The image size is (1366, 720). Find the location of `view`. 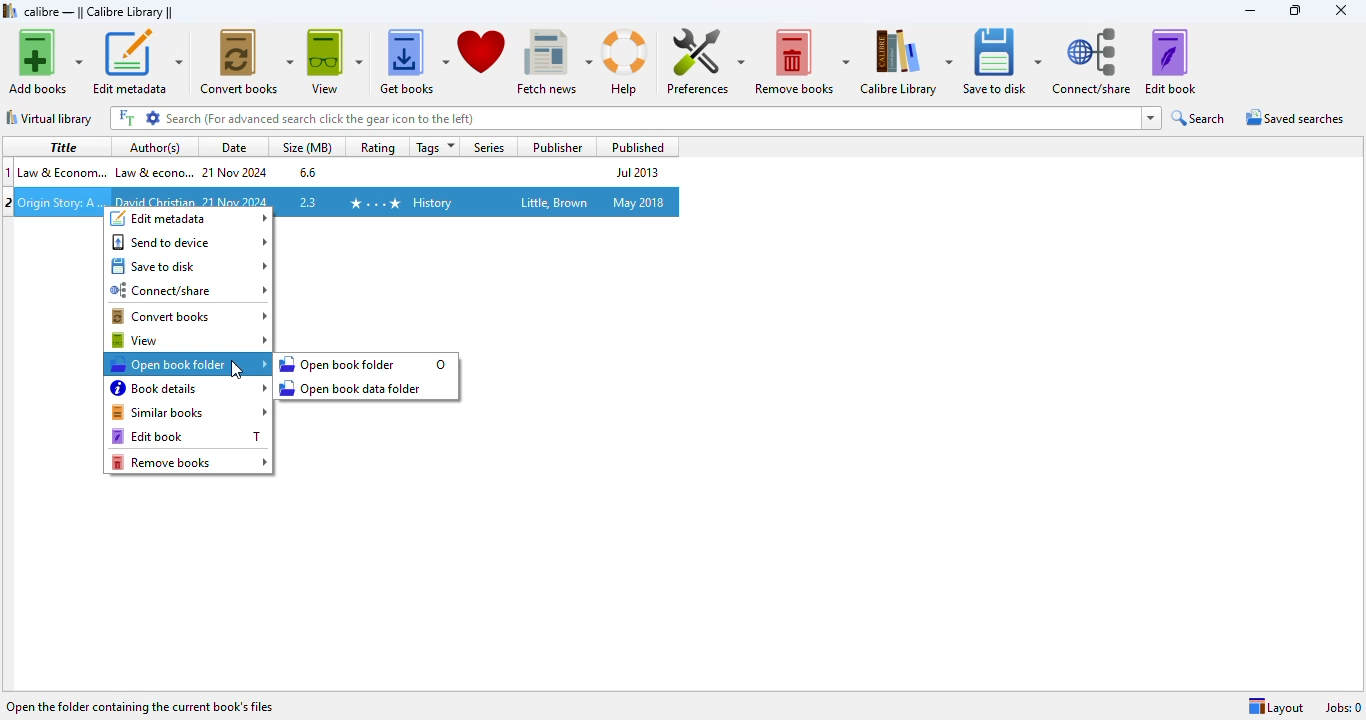

view is located at coordinates (334, 60).